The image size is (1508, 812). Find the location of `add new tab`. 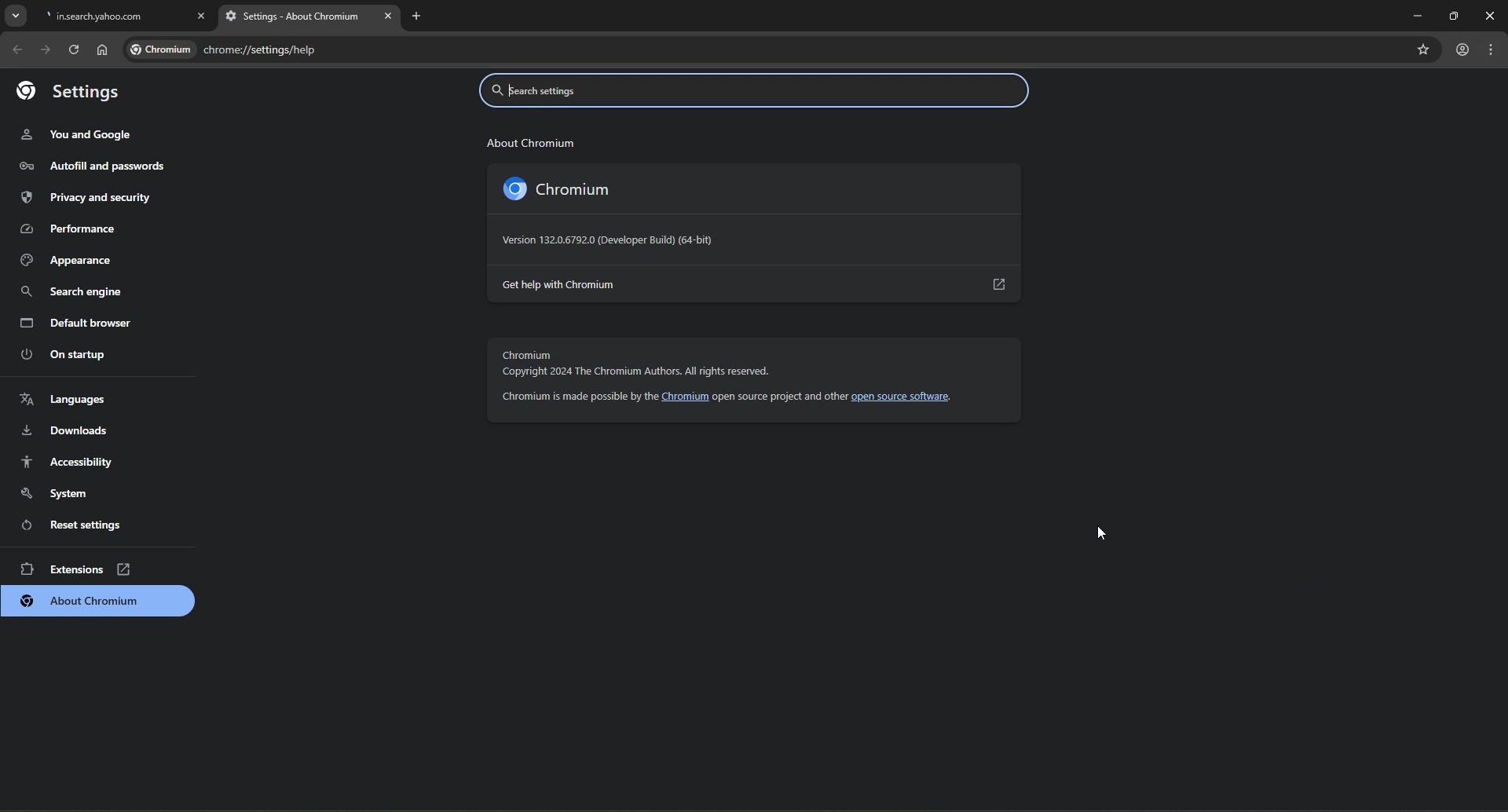

add new tab is located at coordinates (422, 21).